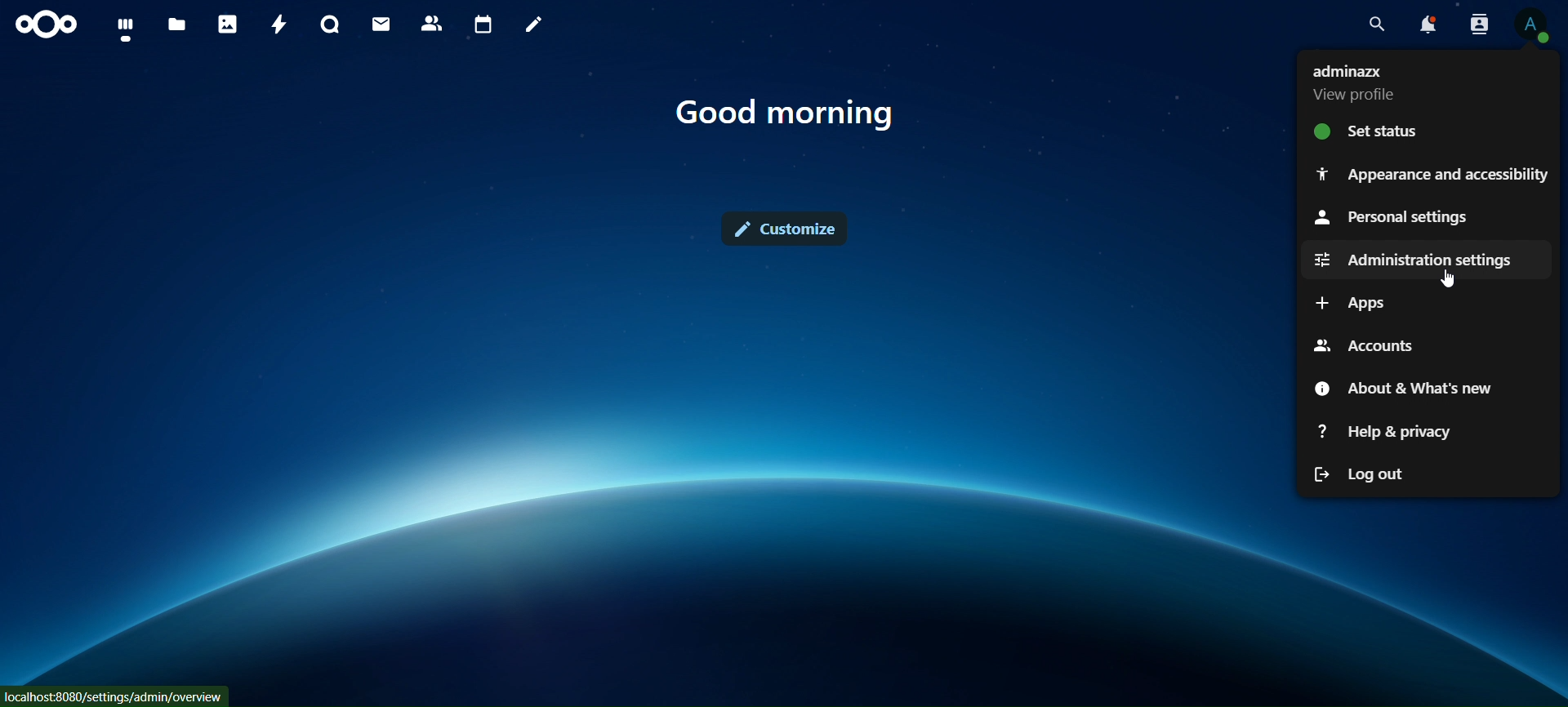 This screenshot has width=1568, height=707. I want to click on appearance and accessibility, so click(1432, 173).